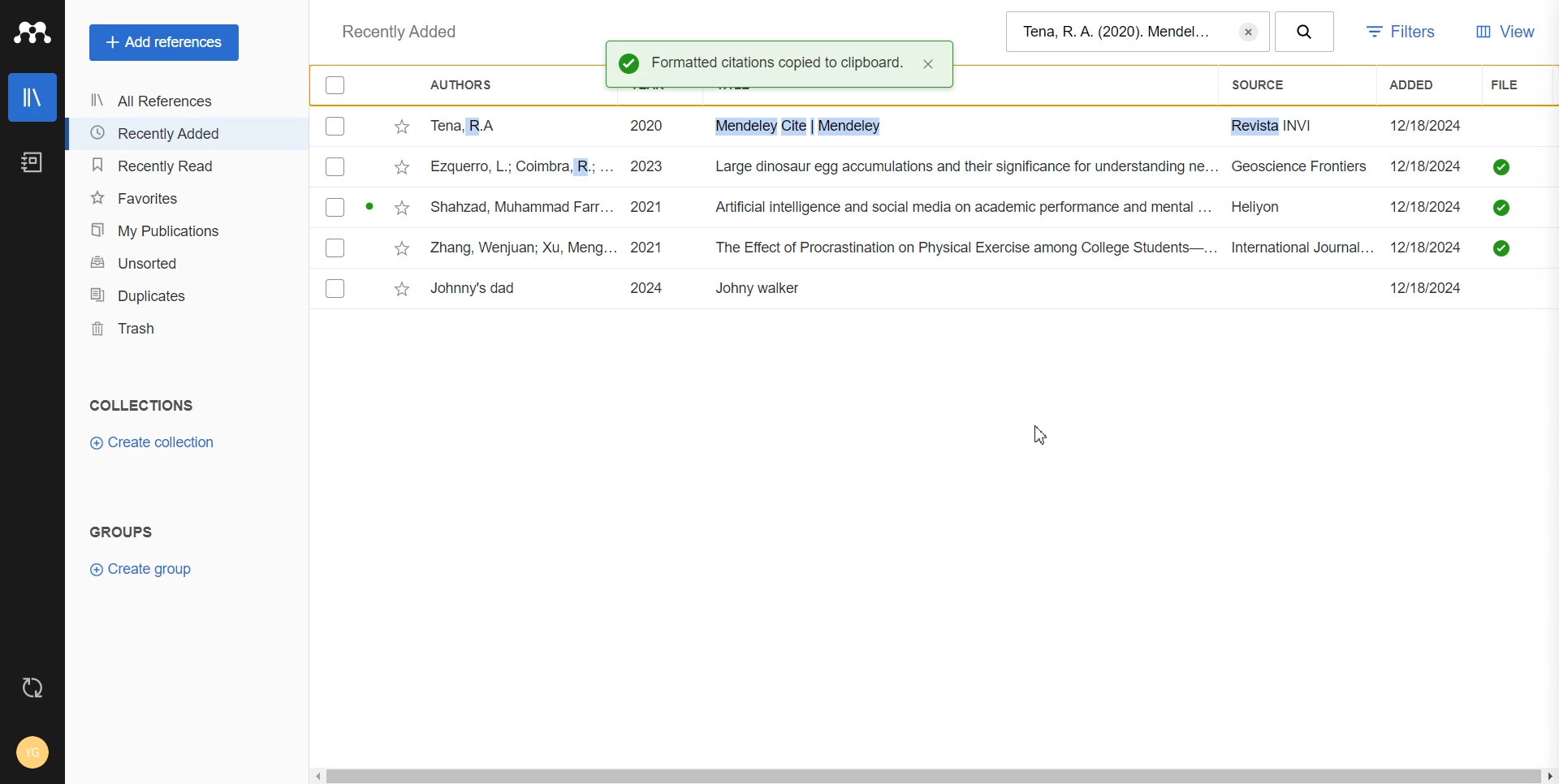 This screenshot has height=784, width=1559. I want to click on Logo, so click(32, 33).